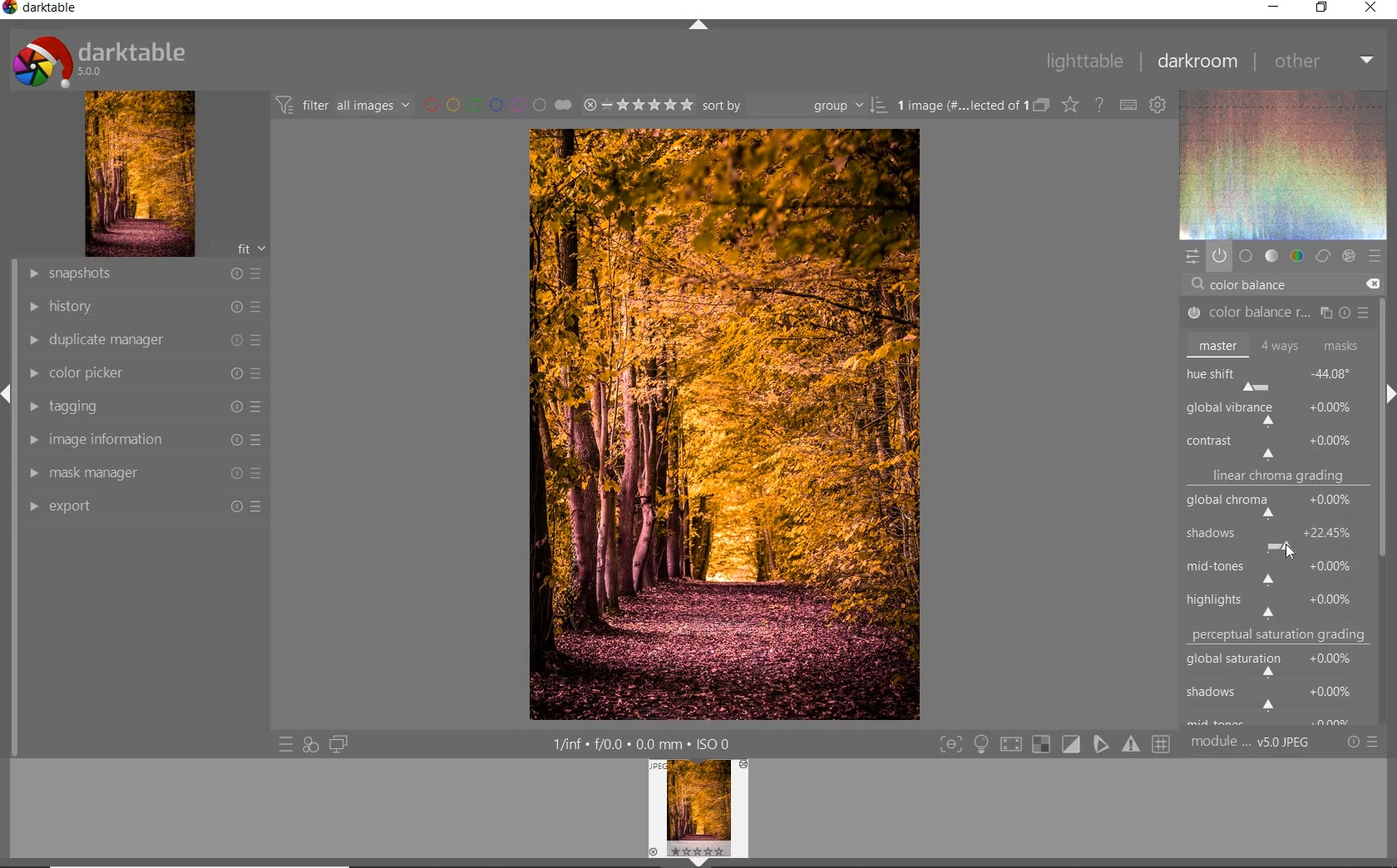  What do you see at coordinates (1276, 696) in the screenshot?
I see `shadows` at bounding box center [1276, 696].